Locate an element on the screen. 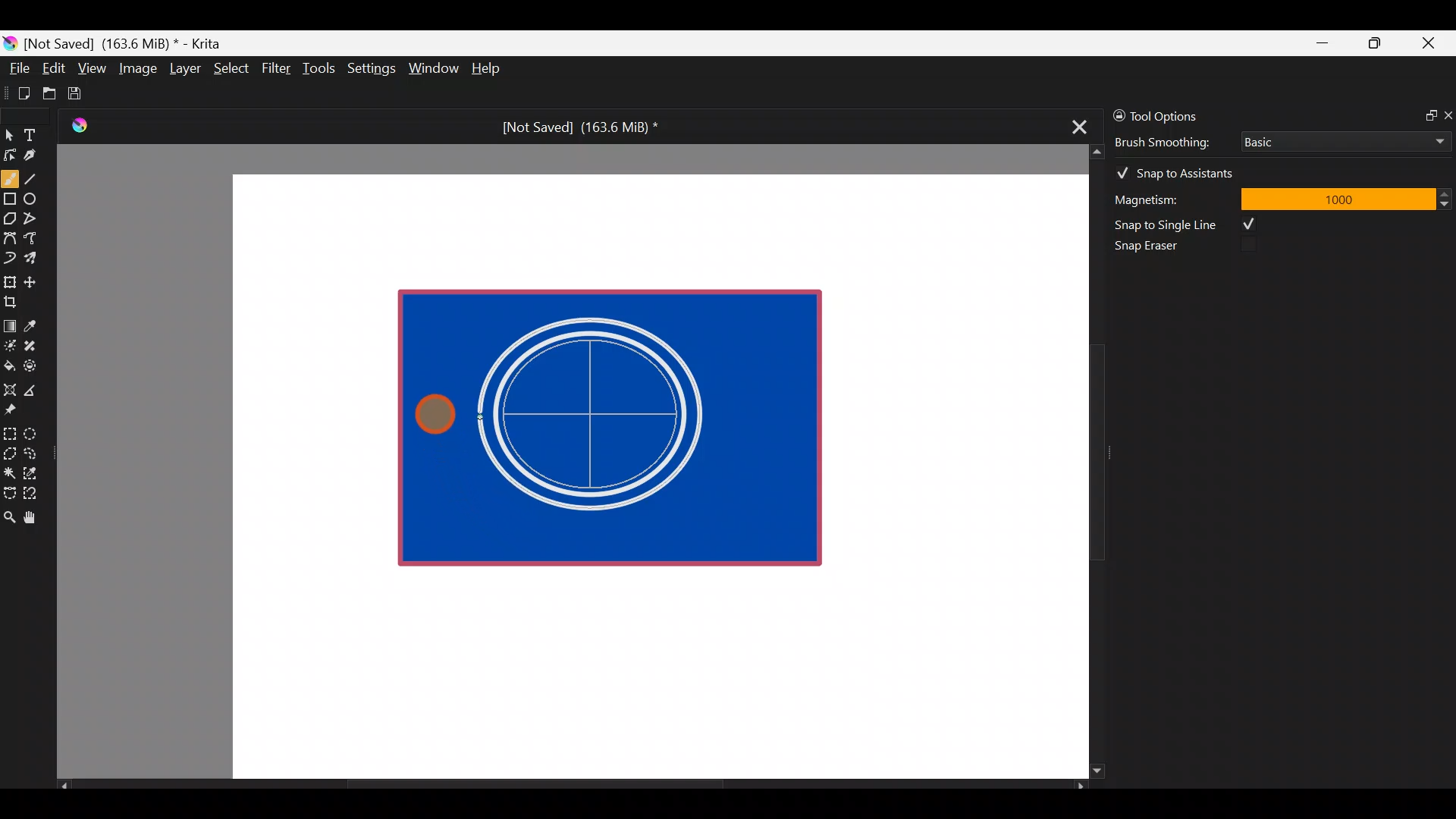 The image size is (1456, 819). Freehand brush tool is located at coordinates (10, 173).